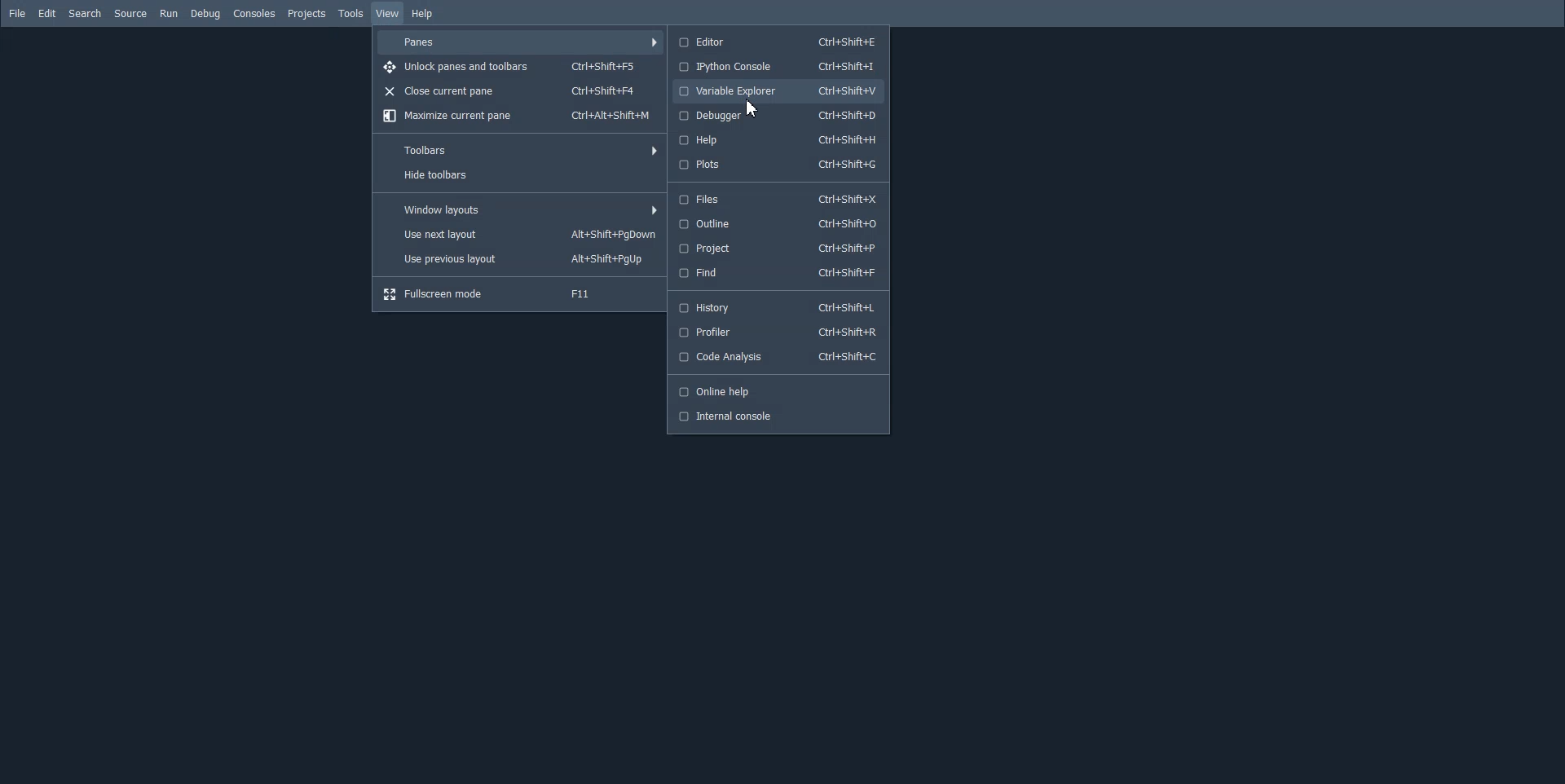 This screenshot has height=784, width=1565. I want to click on Panes, so click(519, 42).